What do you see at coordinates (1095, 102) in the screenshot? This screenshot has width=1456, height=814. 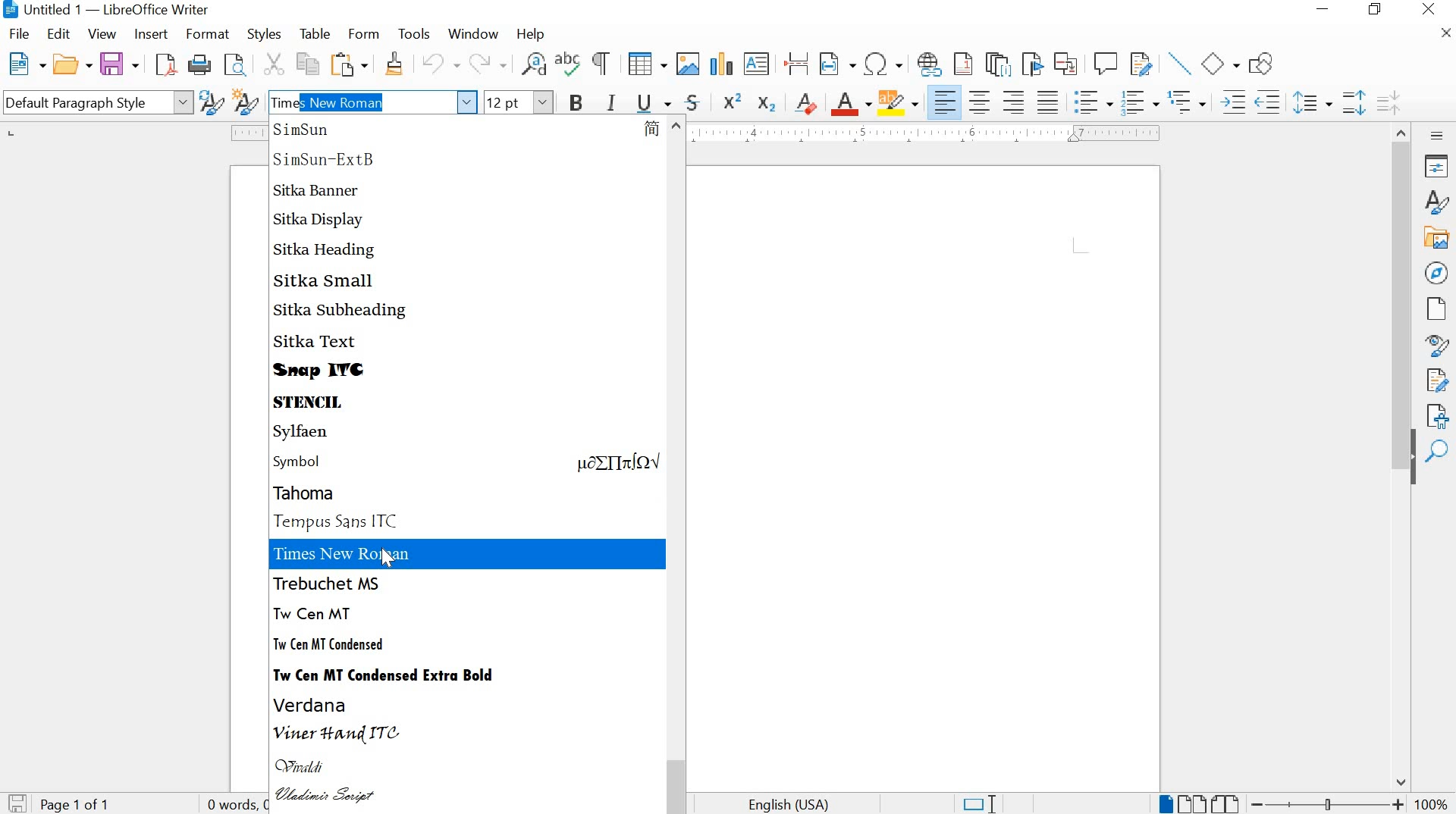 I see `TOGGLE UNORDERED LIST` at bounding box center [1095, 102].